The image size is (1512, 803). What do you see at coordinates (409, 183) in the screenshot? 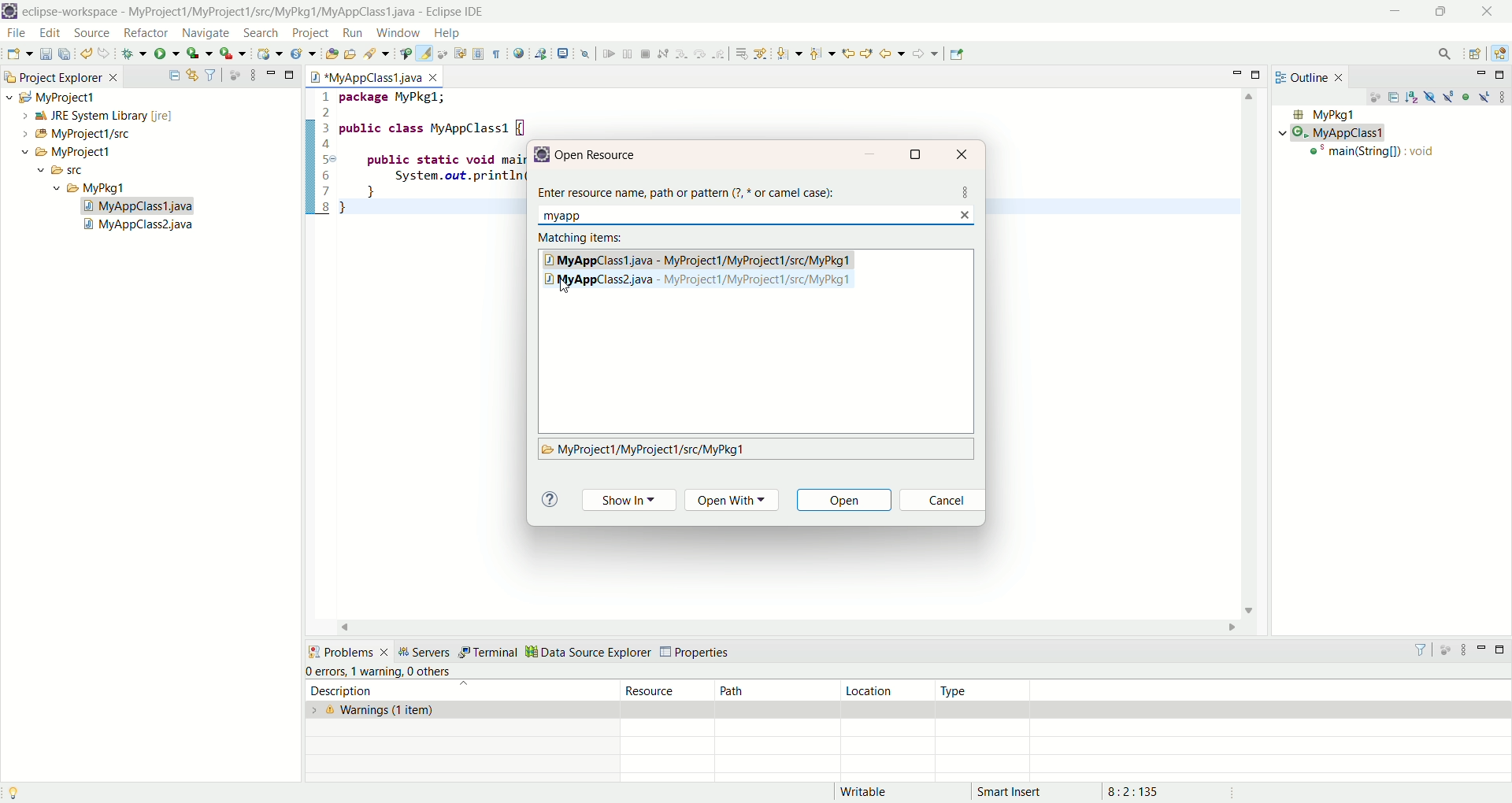
I see `5 public static void mail 6 System.out.println 7 }8}` at bounding box center [409, 183].